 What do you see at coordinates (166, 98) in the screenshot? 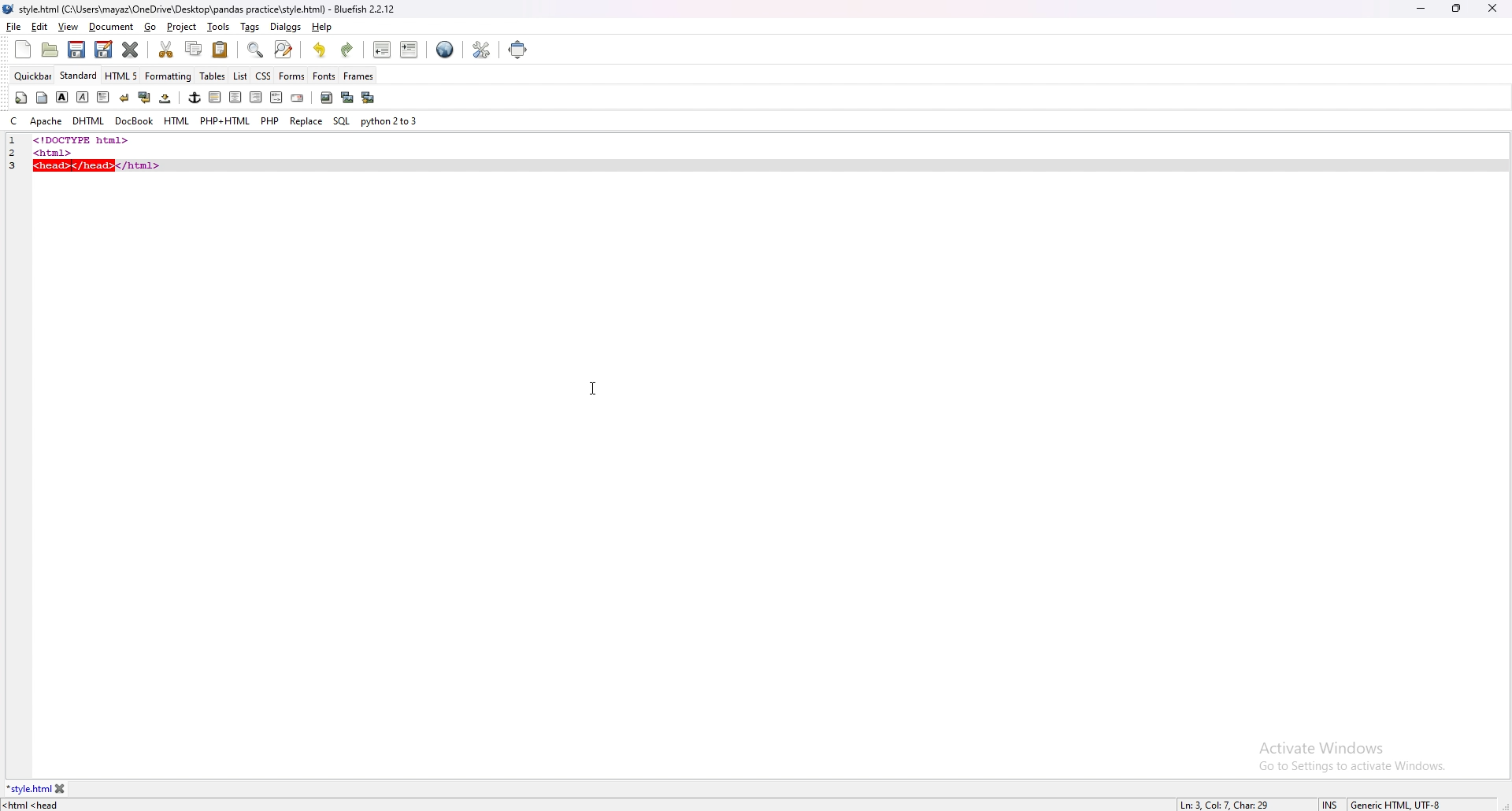
I see `non breaking space` at bounding box center [166, 98].